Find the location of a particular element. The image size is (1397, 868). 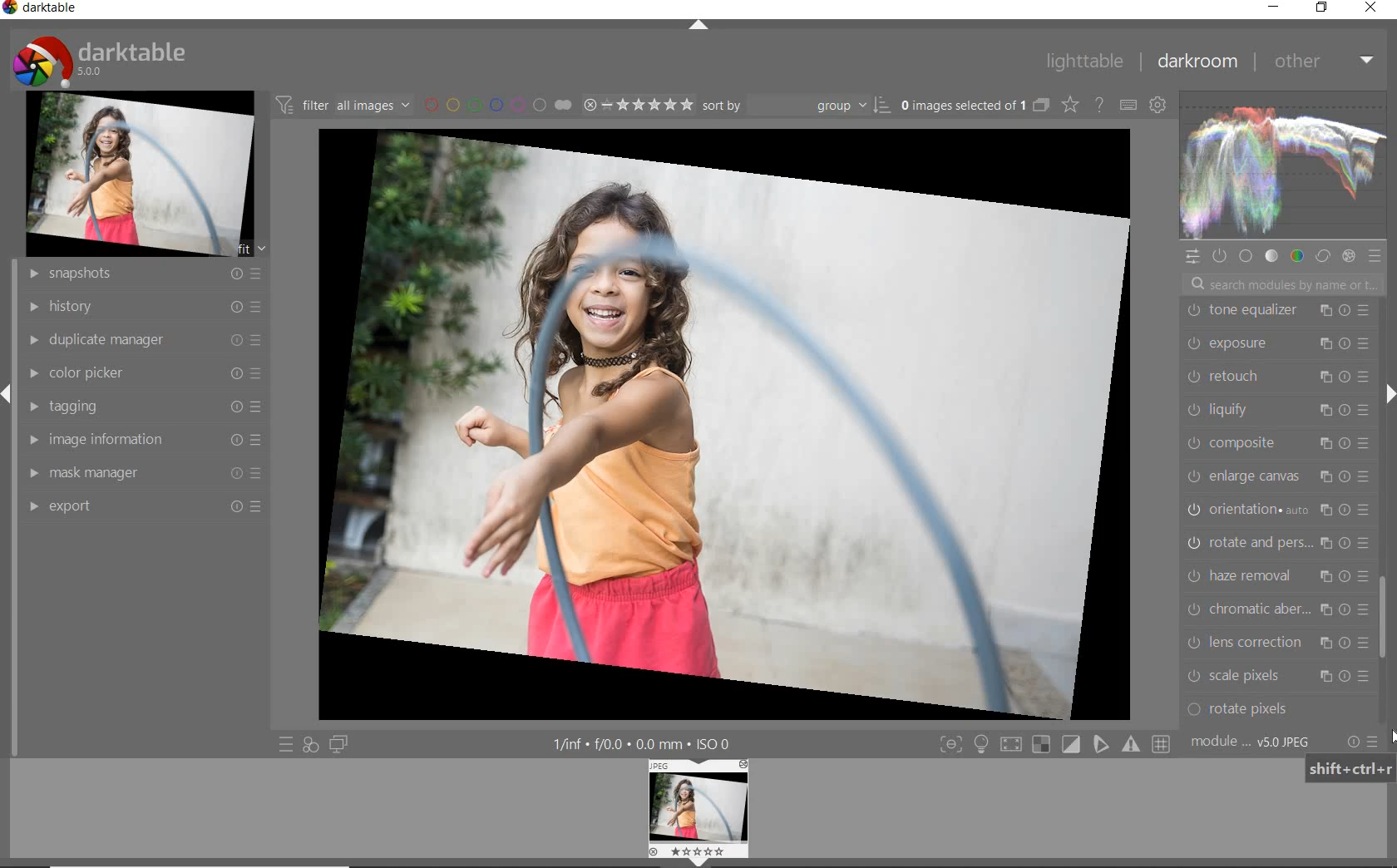

correct is located at coordinates (1323, 258).